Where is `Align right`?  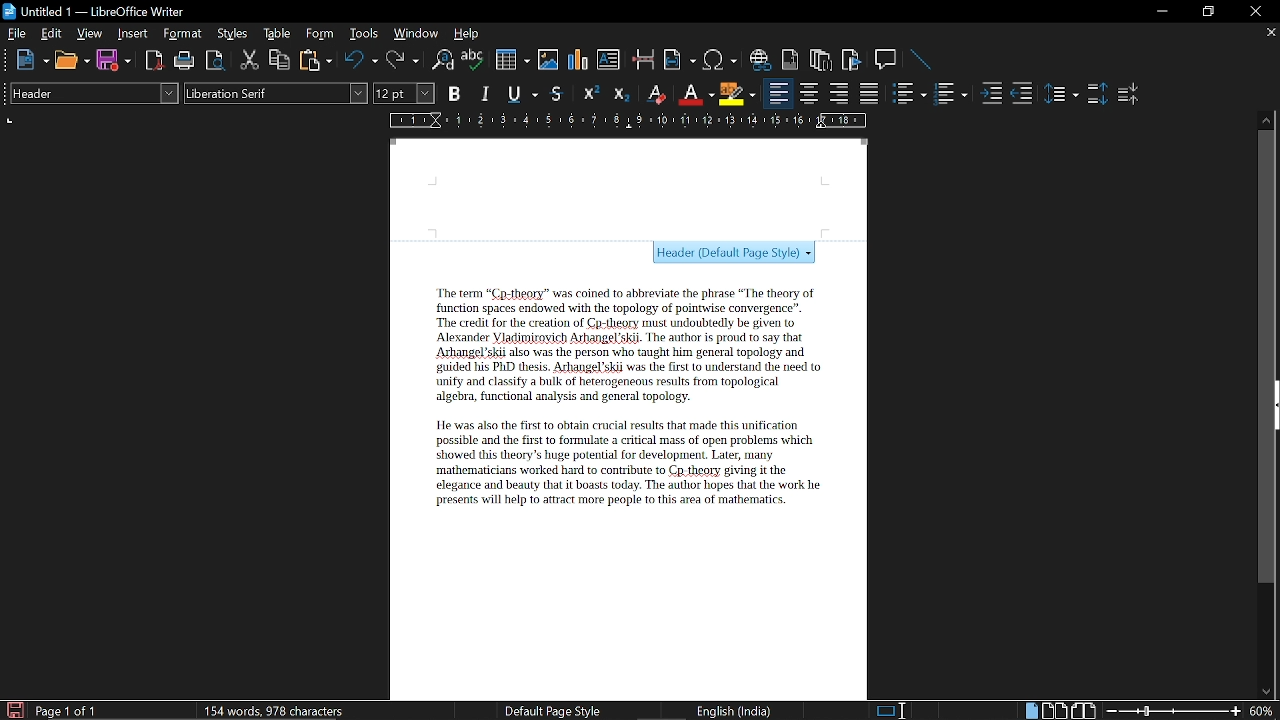
Align right is located at coordinates (841, 93).